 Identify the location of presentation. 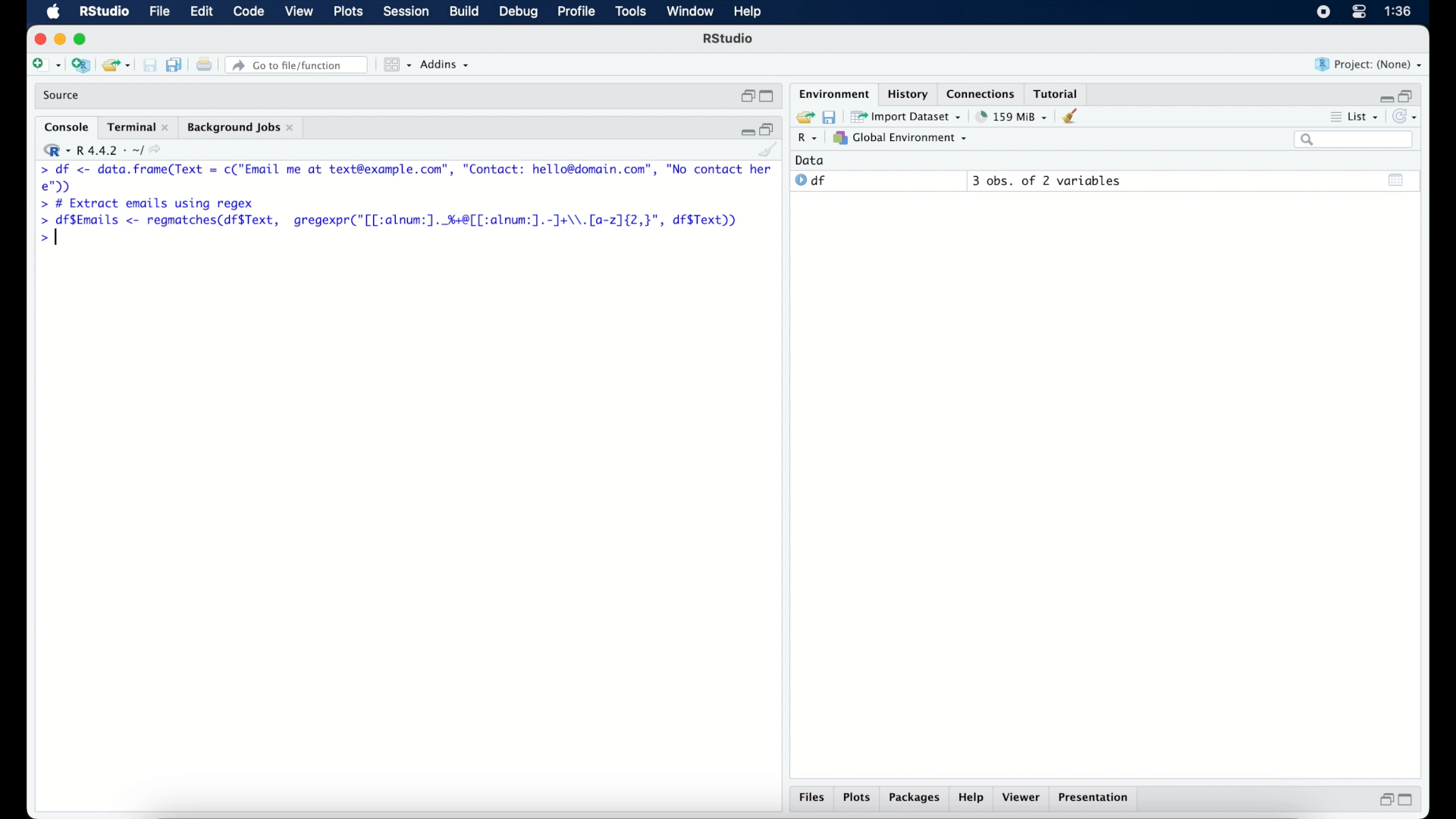
(1096, 799).